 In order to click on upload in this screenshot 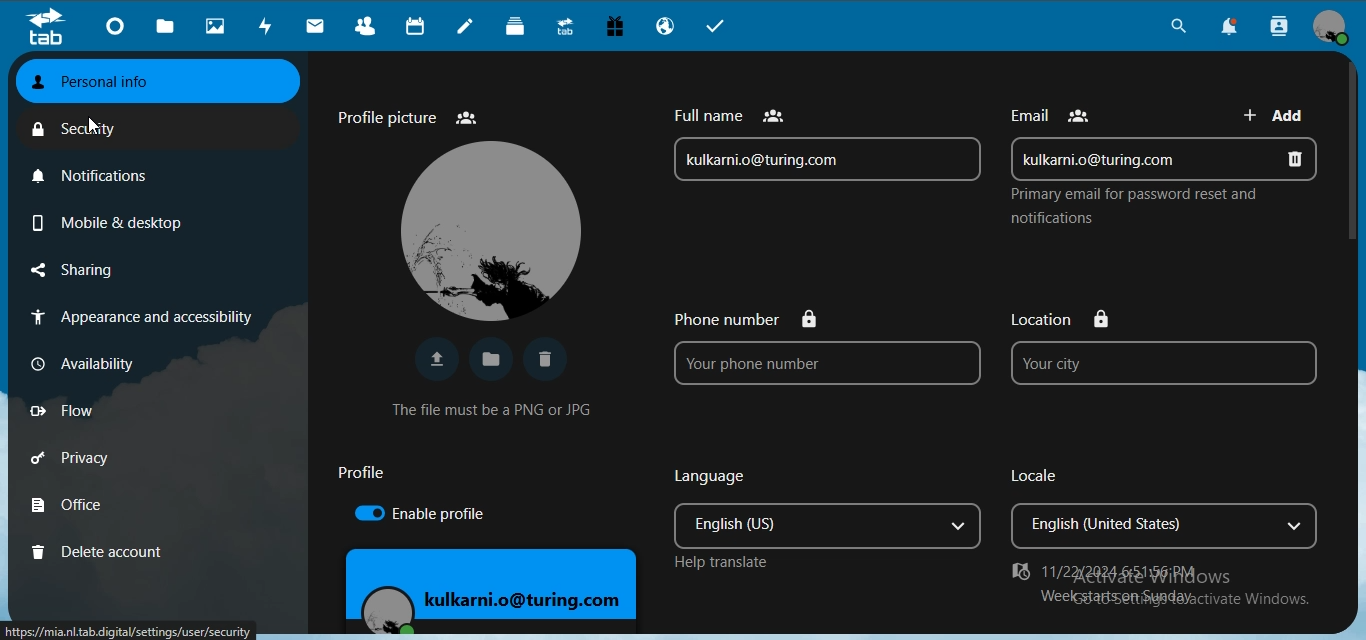, I will do `click(436, 359)`.